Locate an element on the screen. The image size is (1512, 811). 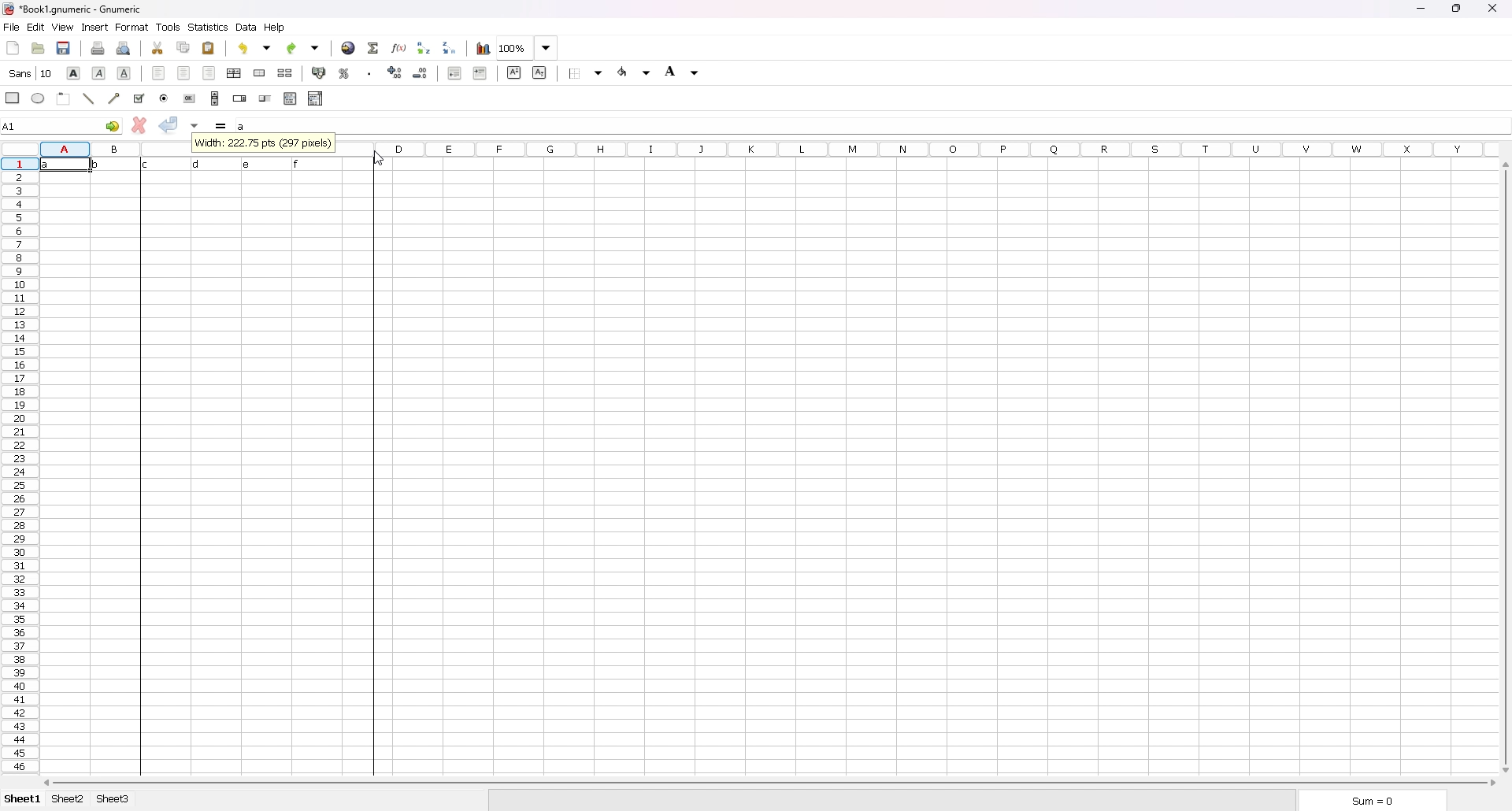
new is located at coordinates (13, 47).